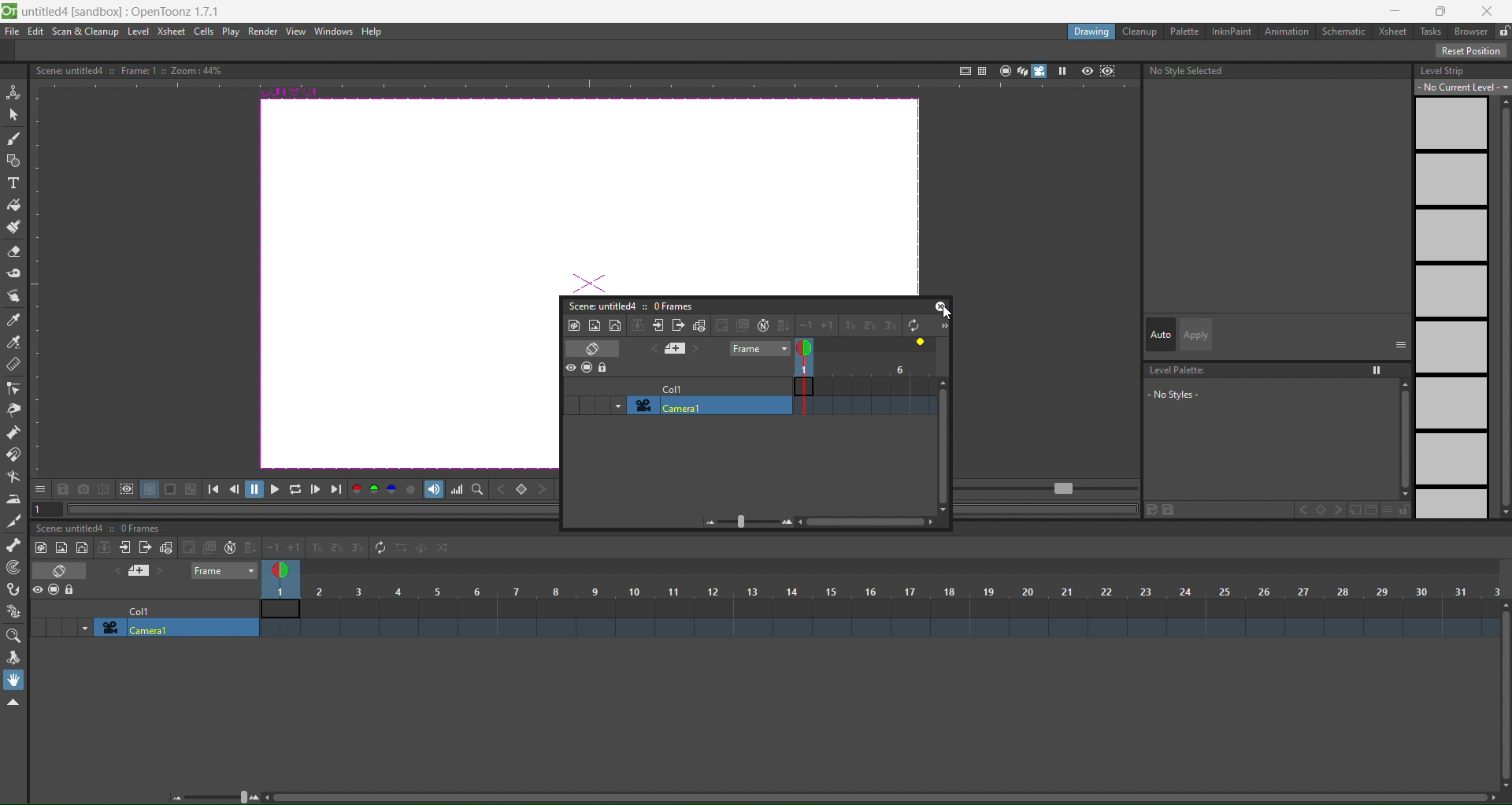 The width and height of the screenshot is (1512, 805). What do you see at coordinates (9, 9) in the screenshot?
I see `logo` at bounding box center [9, 9].